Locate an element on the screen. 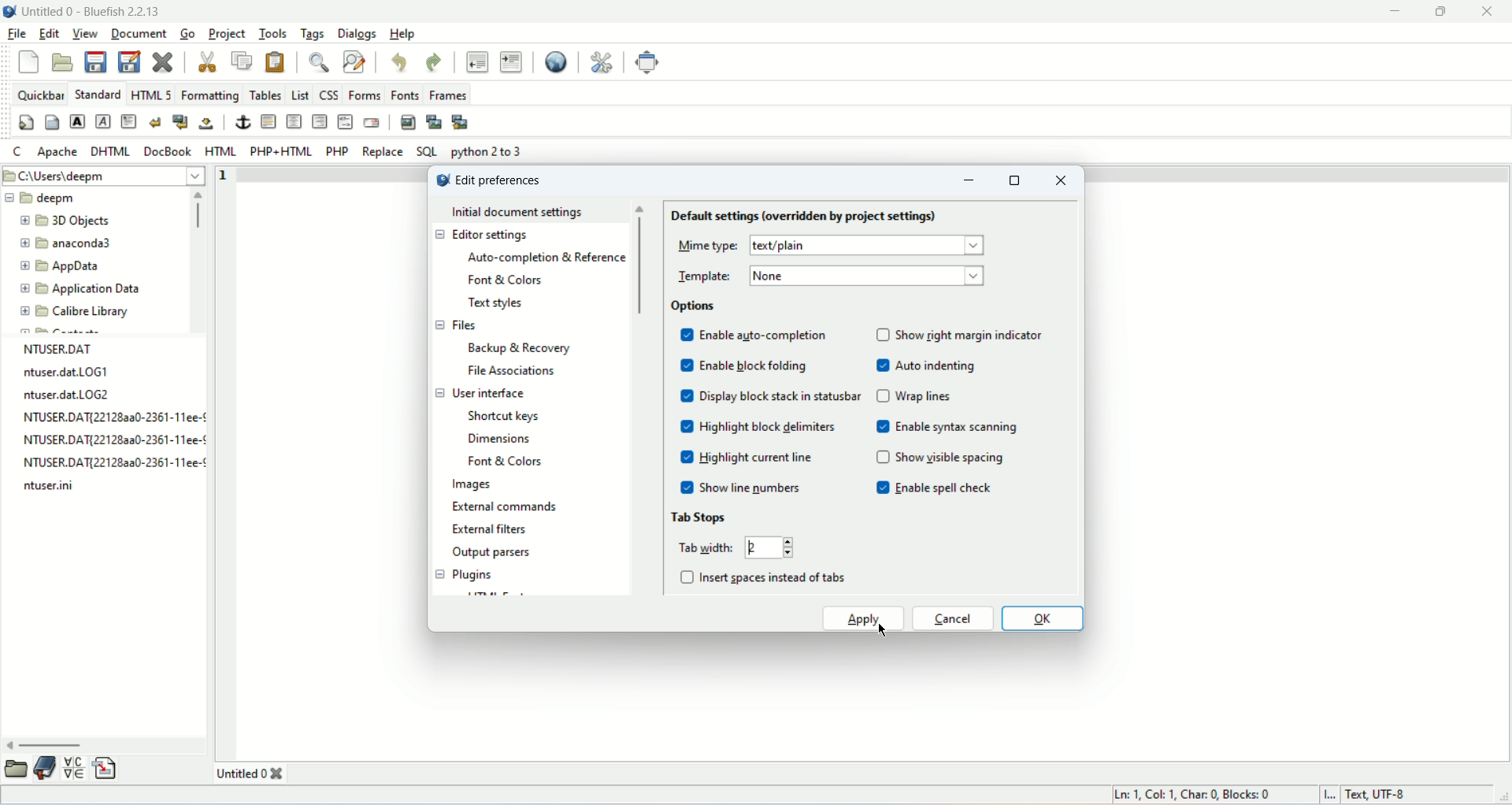  fullscreen is located at coordinates (649, 64).